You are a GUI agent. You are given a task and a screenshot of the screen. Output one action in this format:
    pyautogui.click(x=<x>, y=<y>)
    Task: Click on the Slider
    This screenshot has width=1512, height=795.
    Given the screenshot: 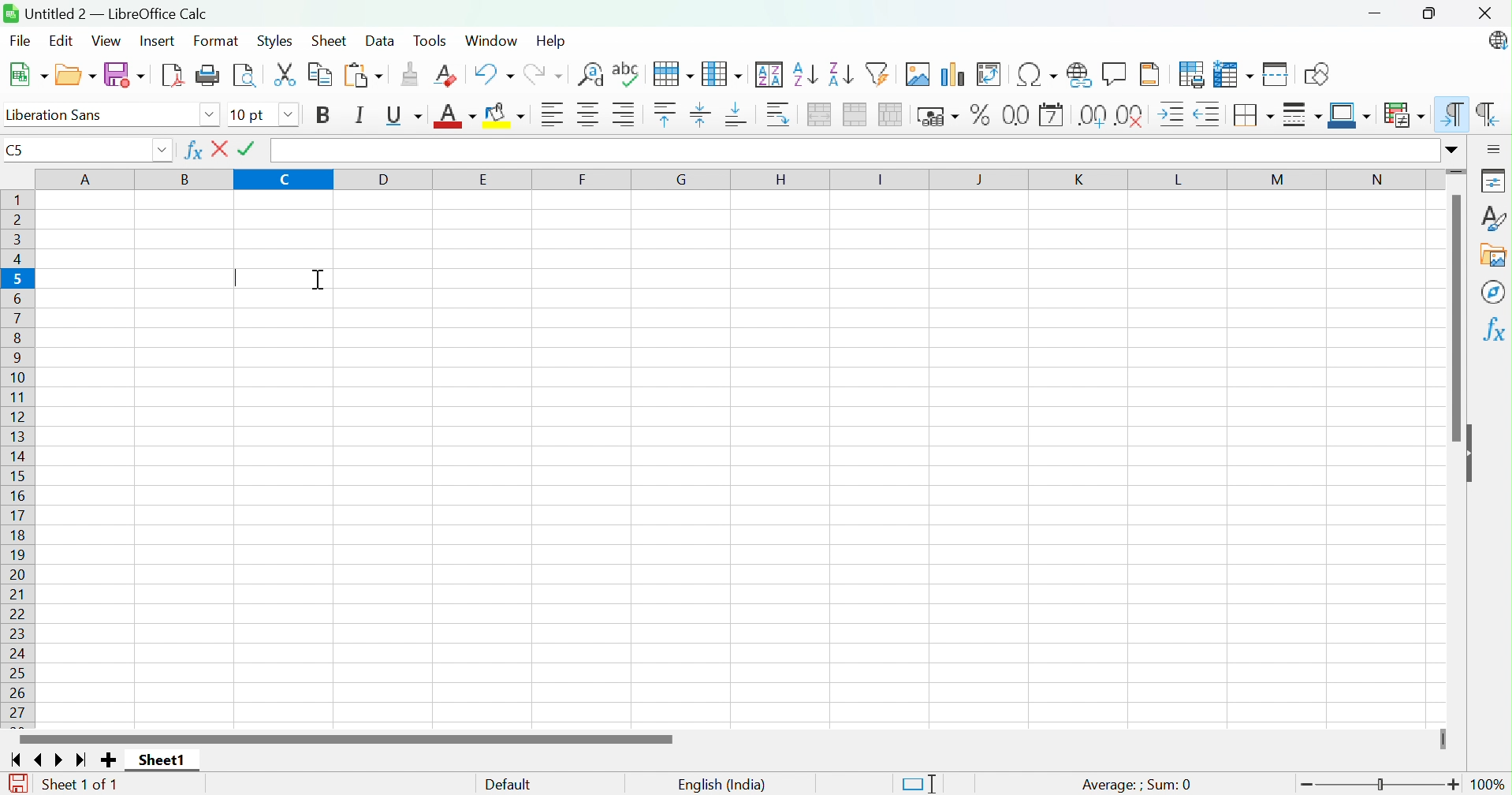 What is the action you would take?
    pyautogui.click(x=1456, y=171)
    